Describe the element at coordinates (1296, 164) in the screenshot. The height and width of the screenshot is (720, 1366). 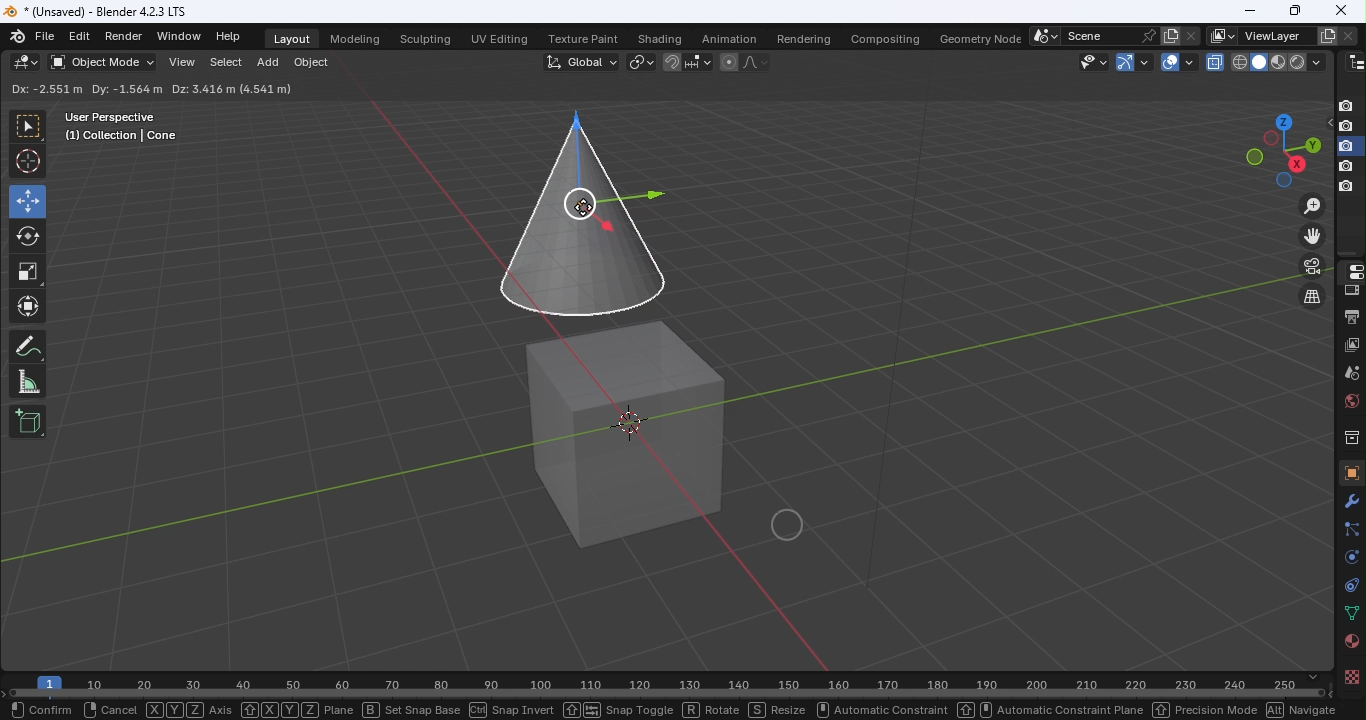
I see `Rotate the view` at that location.